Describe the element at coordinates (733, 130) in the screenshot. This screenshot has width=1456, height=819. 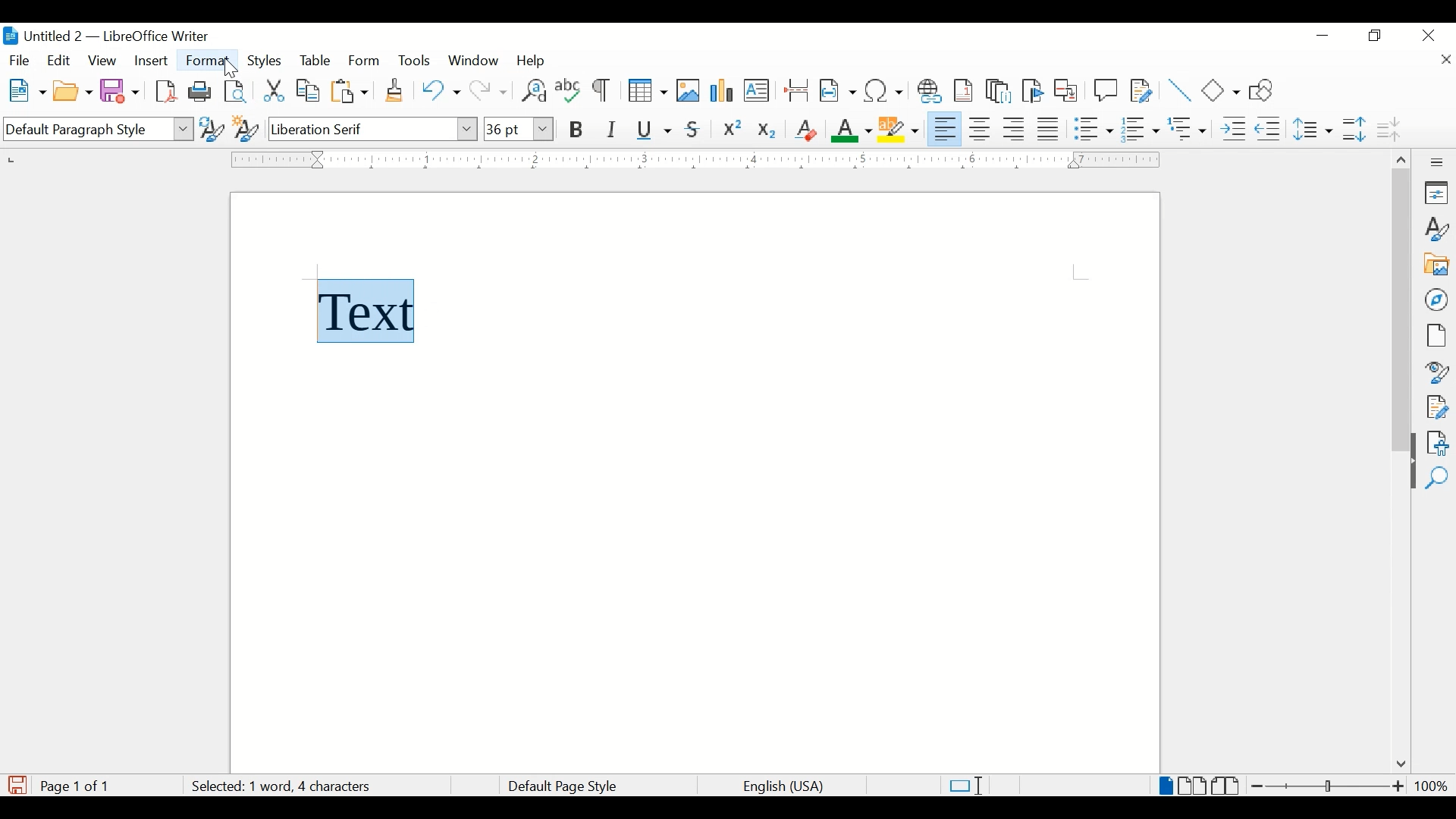
I see `superscript` at that location.